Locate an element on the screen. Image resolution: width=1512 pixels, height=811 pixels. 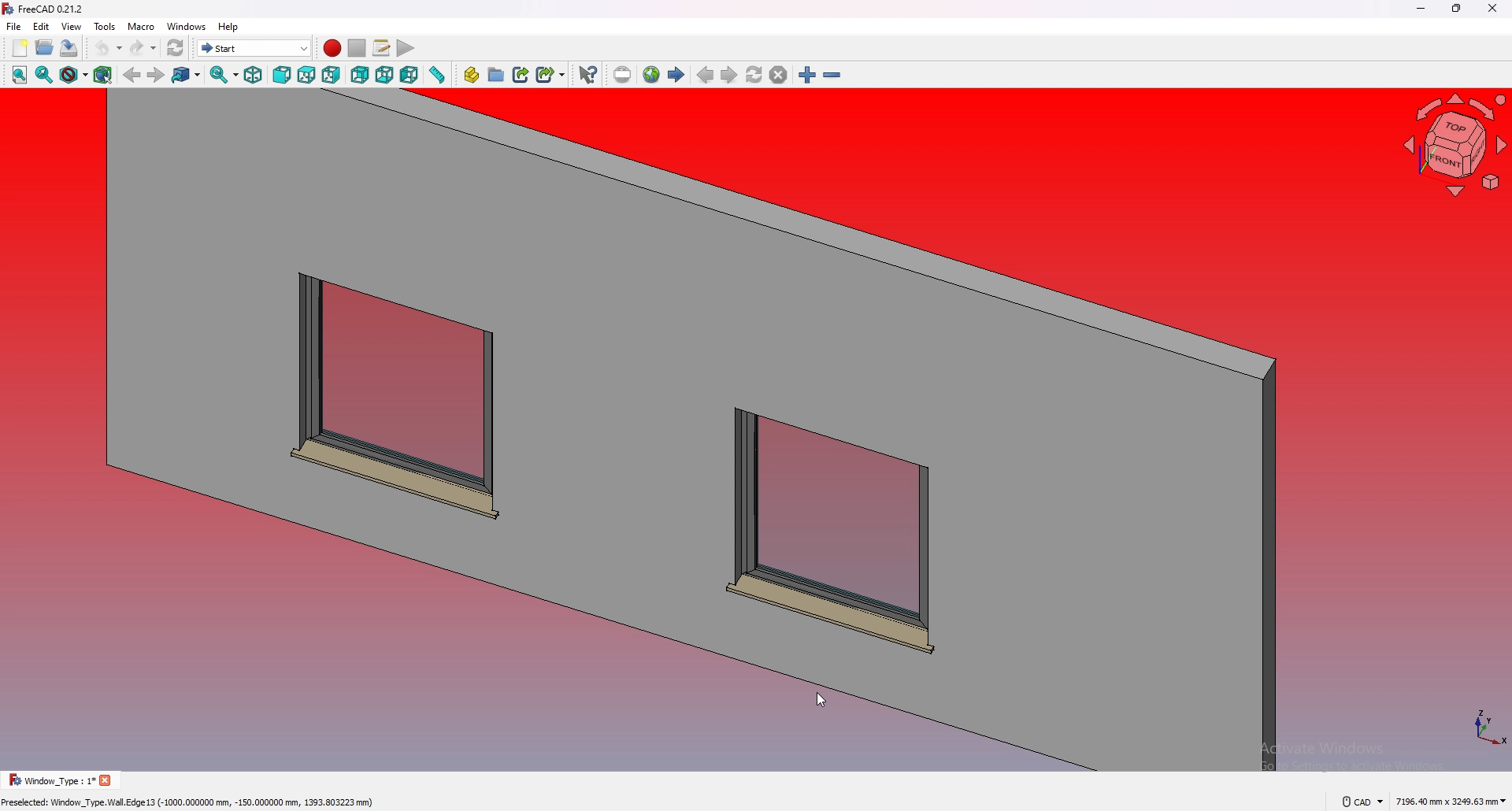
macro is located at coordinates (142, 27).